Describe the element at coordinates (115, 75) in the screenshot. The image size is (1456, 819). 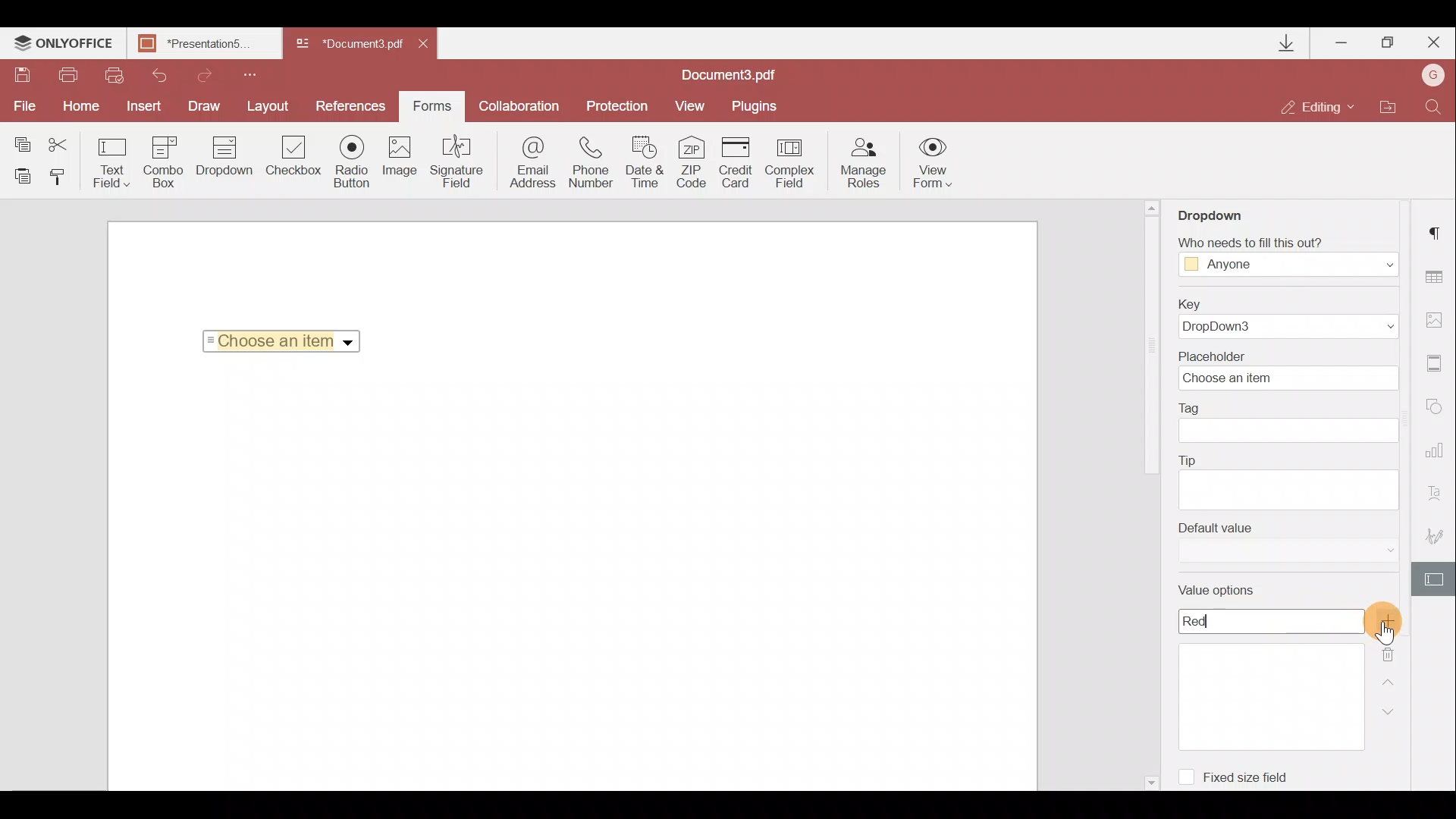
I see `Quick print` at that location.